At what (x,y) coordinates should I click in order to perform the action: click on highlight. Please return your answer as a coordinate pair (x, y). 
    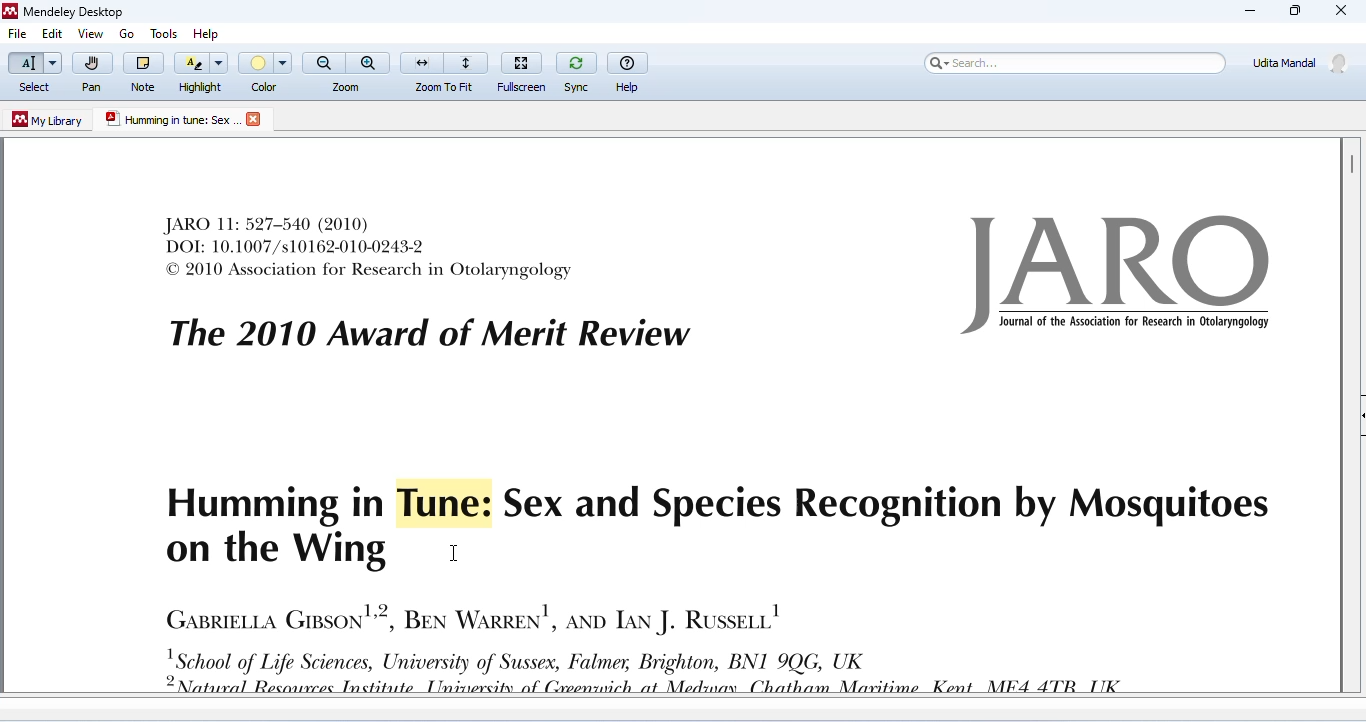
    Looking at the image, I should click on (202, 71).